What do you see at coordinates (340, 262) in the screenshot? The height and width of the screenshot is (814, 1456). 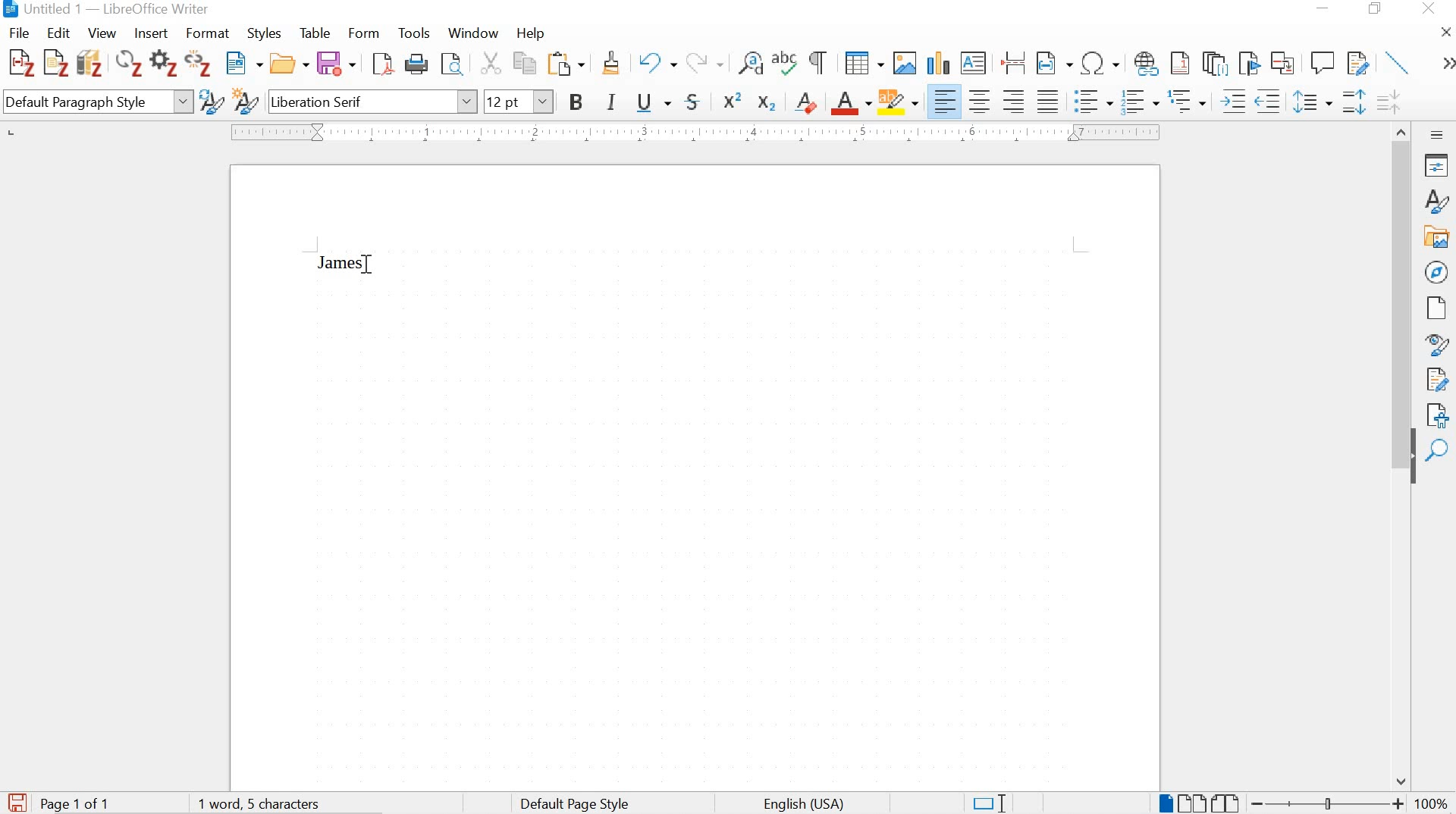 I see `James` at bounding box center [340, 262].